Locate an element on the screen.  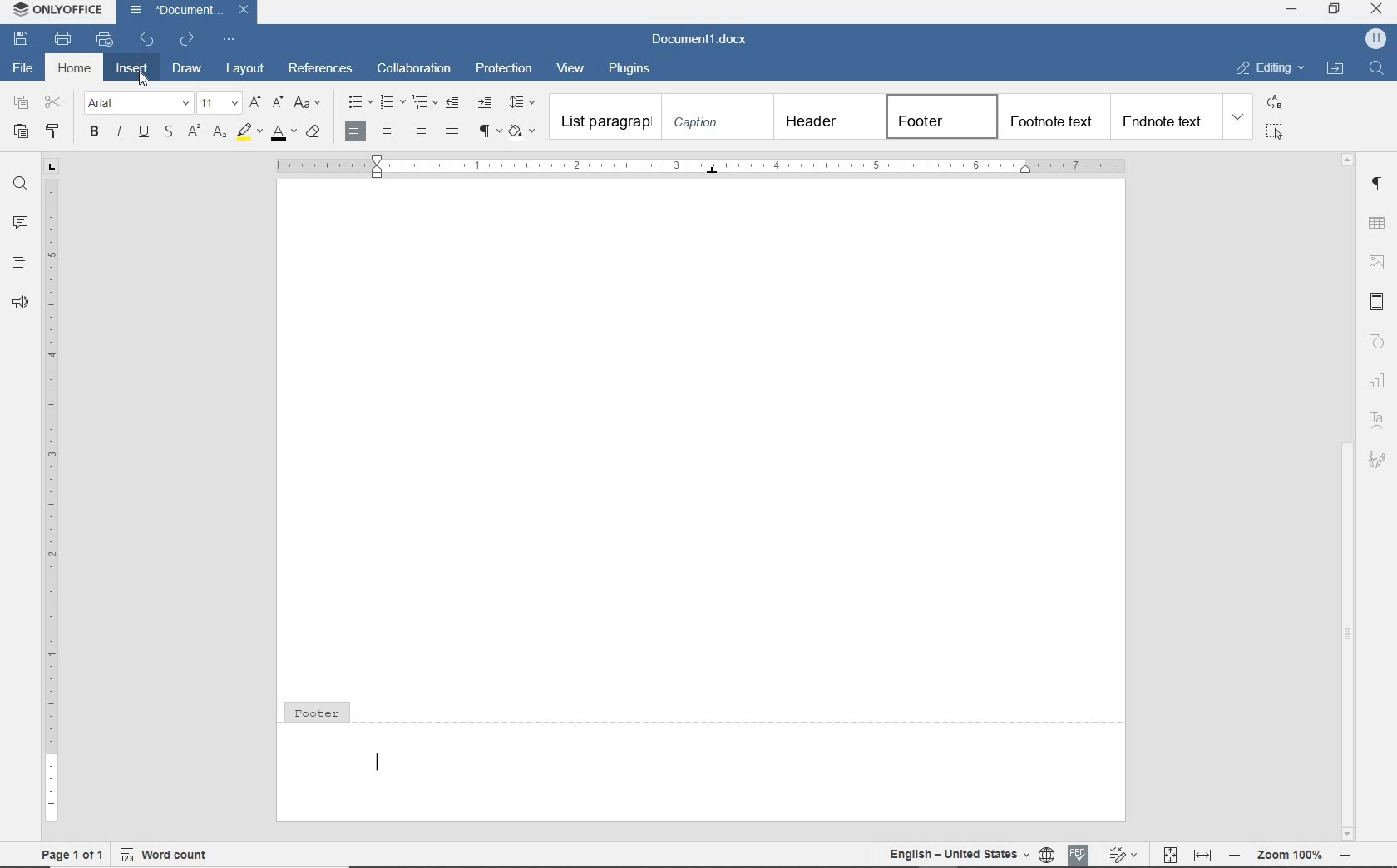
increase indent is located at coordinates (484, 101).